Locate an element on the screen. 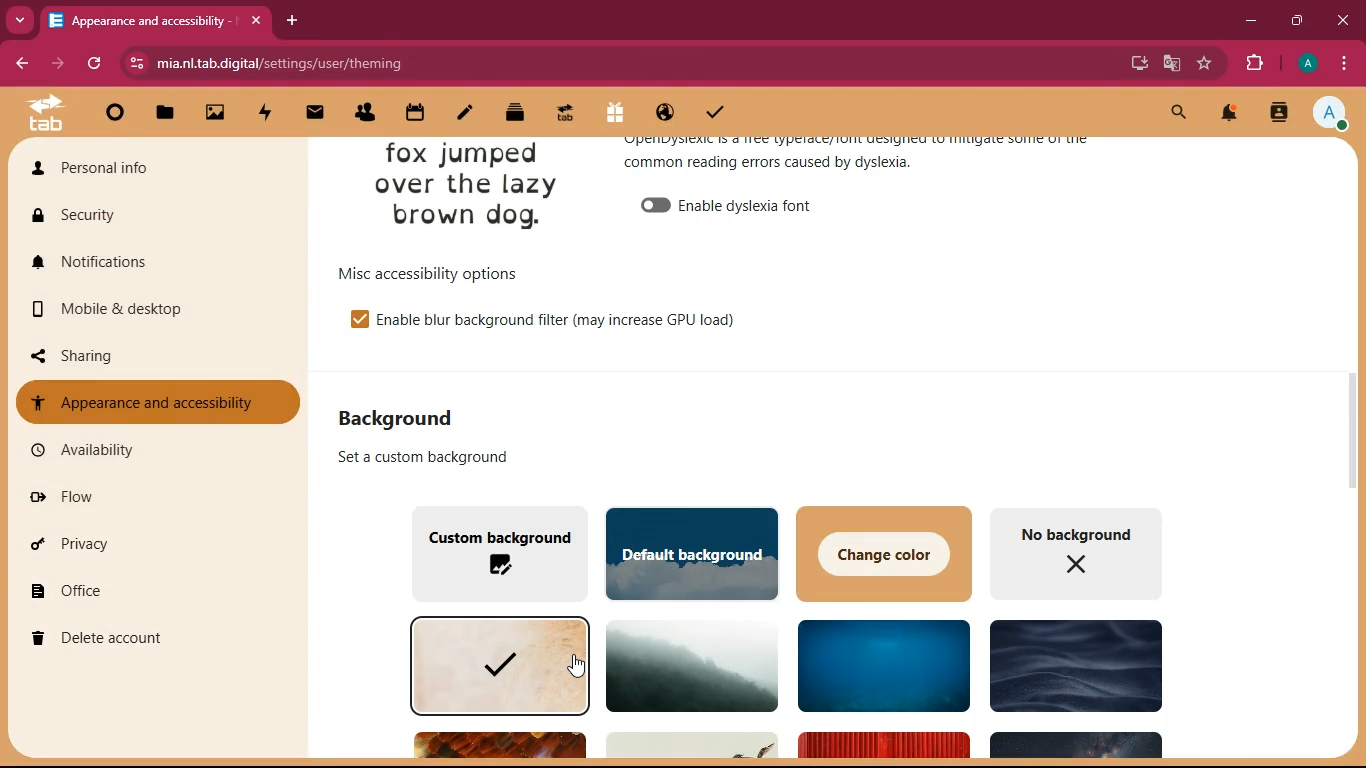 This screenshot has width=1366, height=768. enable is located at coordinates (563, 321).